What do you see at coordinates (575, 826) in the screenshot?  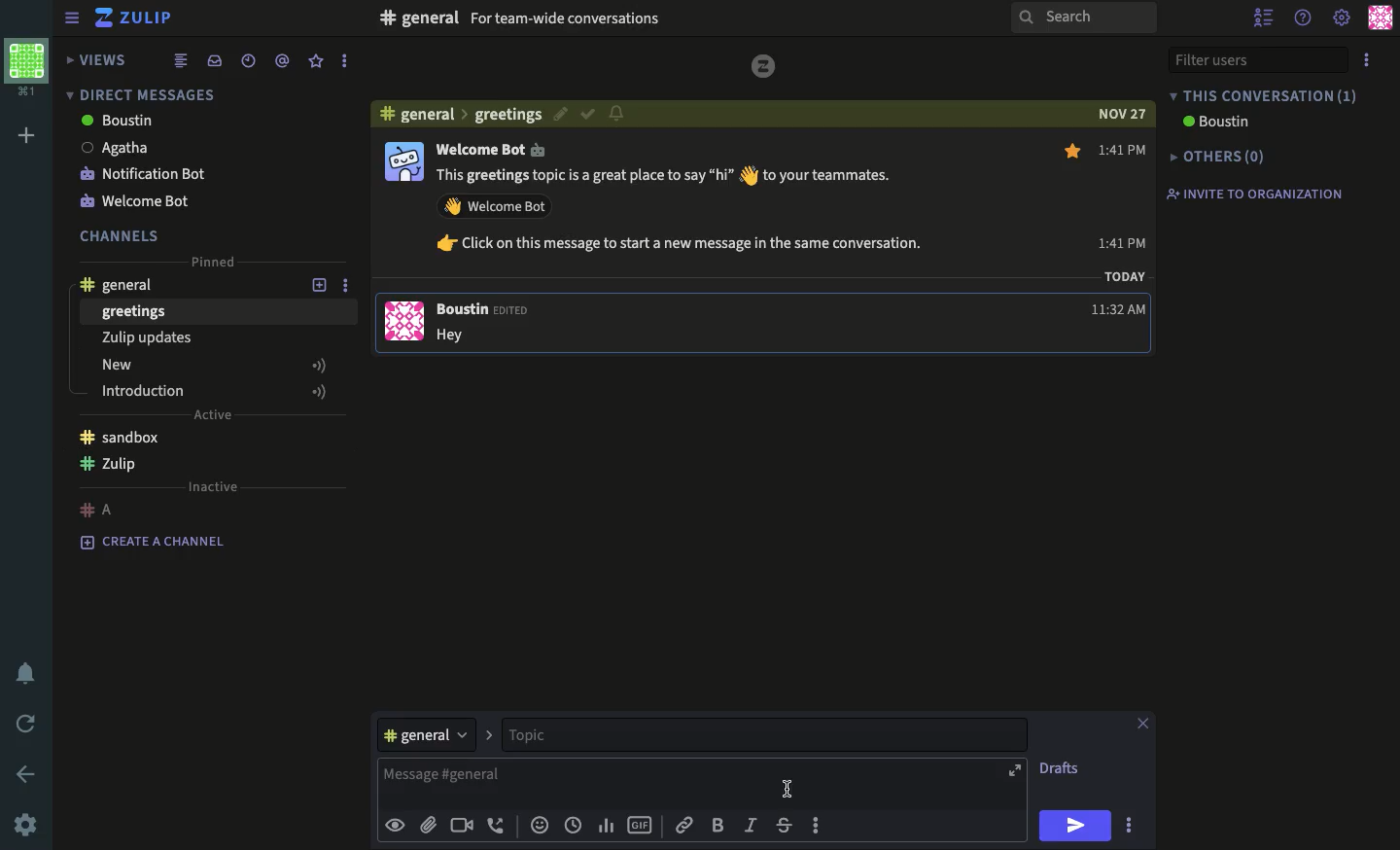 I see `time` at bounding box center [575, 826].